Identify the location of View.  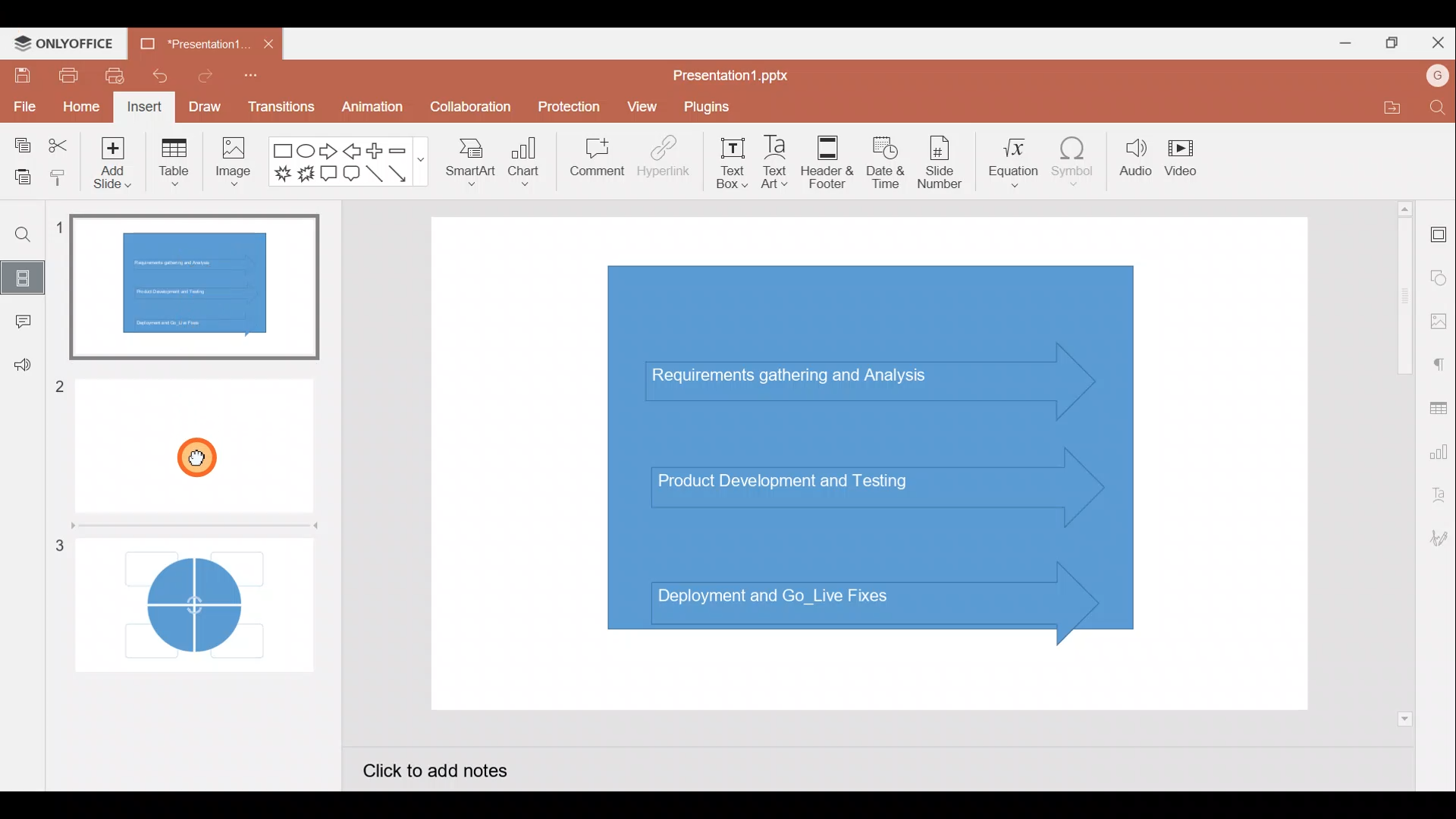
(642, 108).